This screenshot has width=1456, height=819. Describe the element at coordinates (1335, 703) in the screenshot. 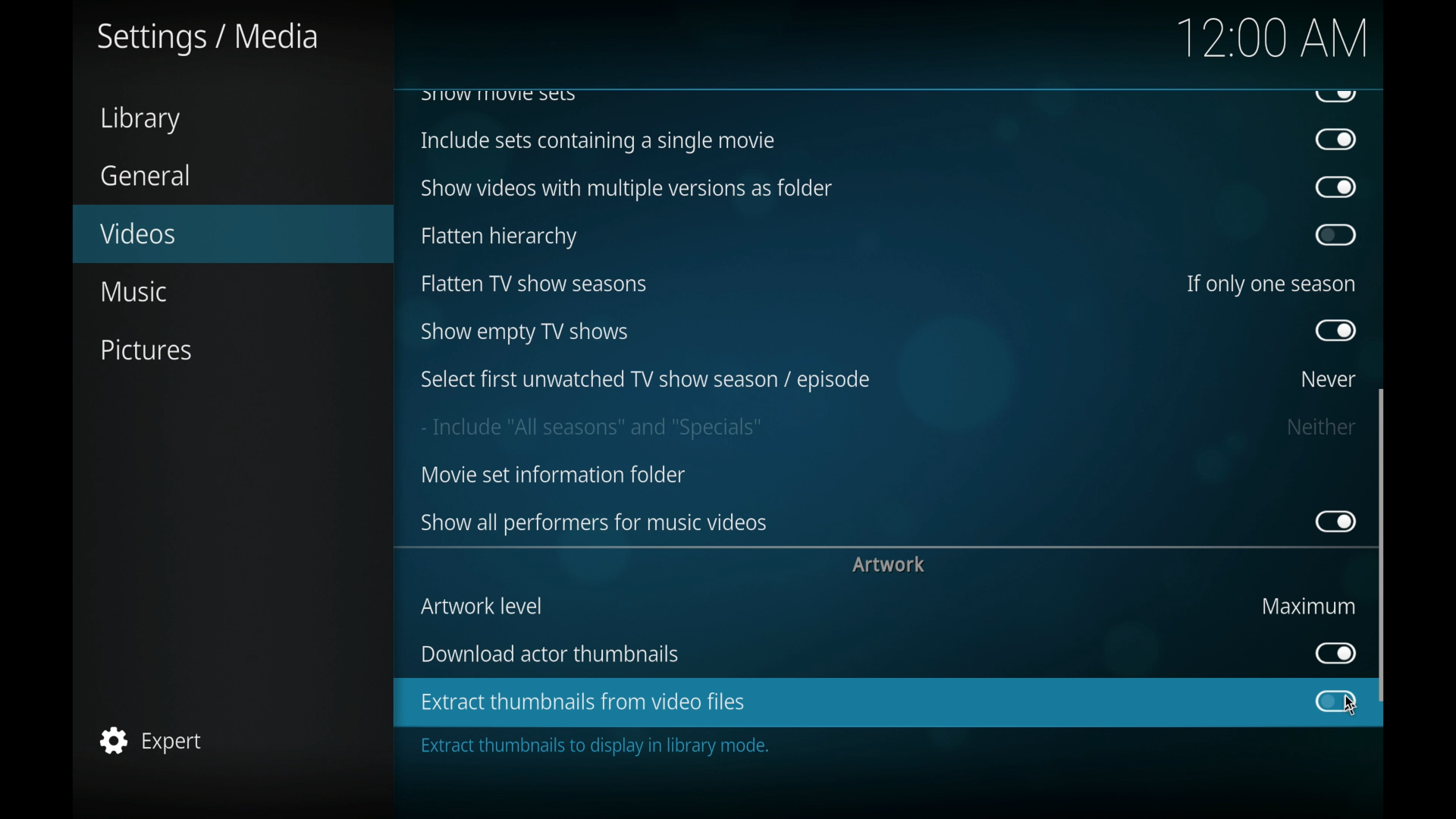

I see `toggle button` at that location.